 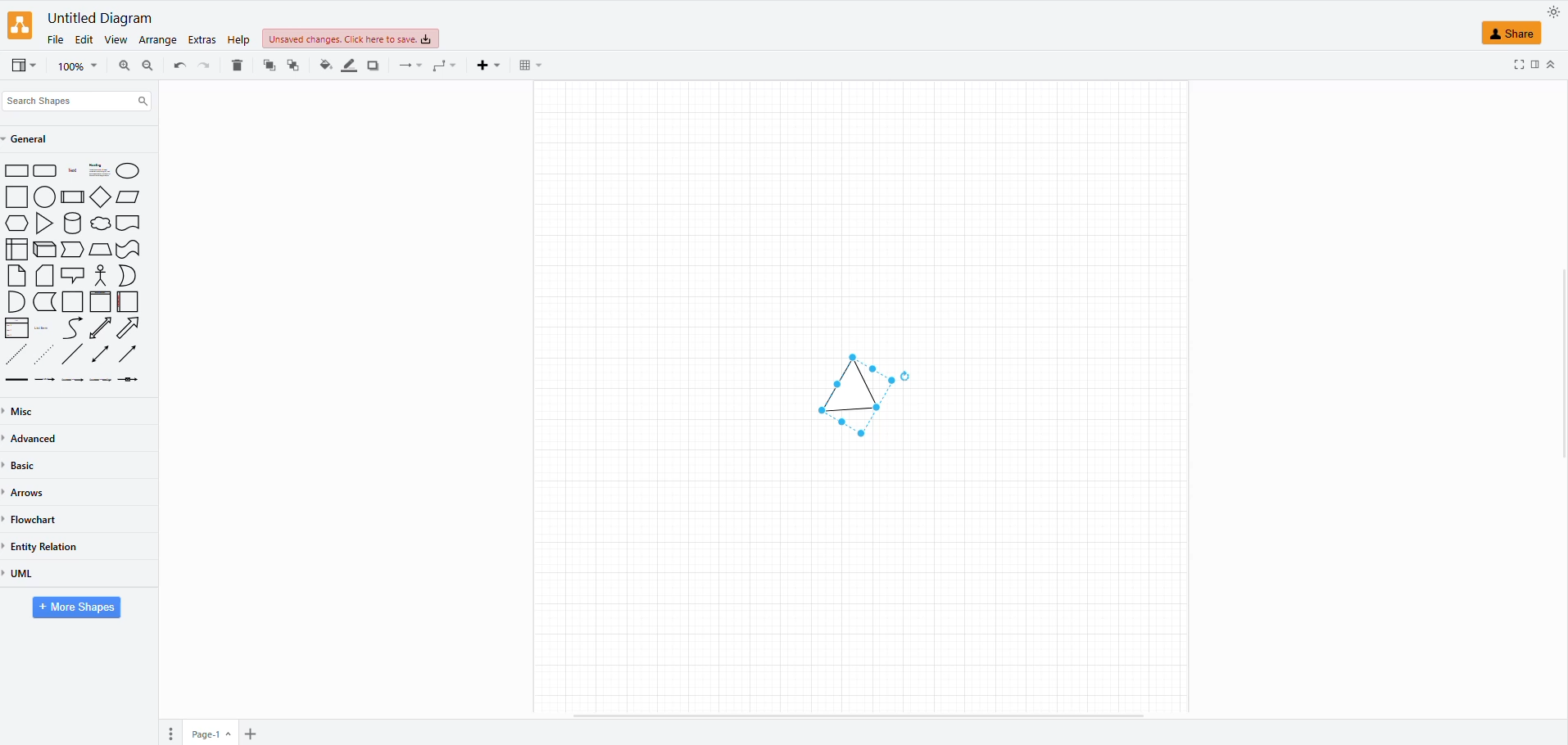 What do you see at coordinates (17, 171) in the screenshot?
I see `Rectangle` at bounding box center [17, 171].